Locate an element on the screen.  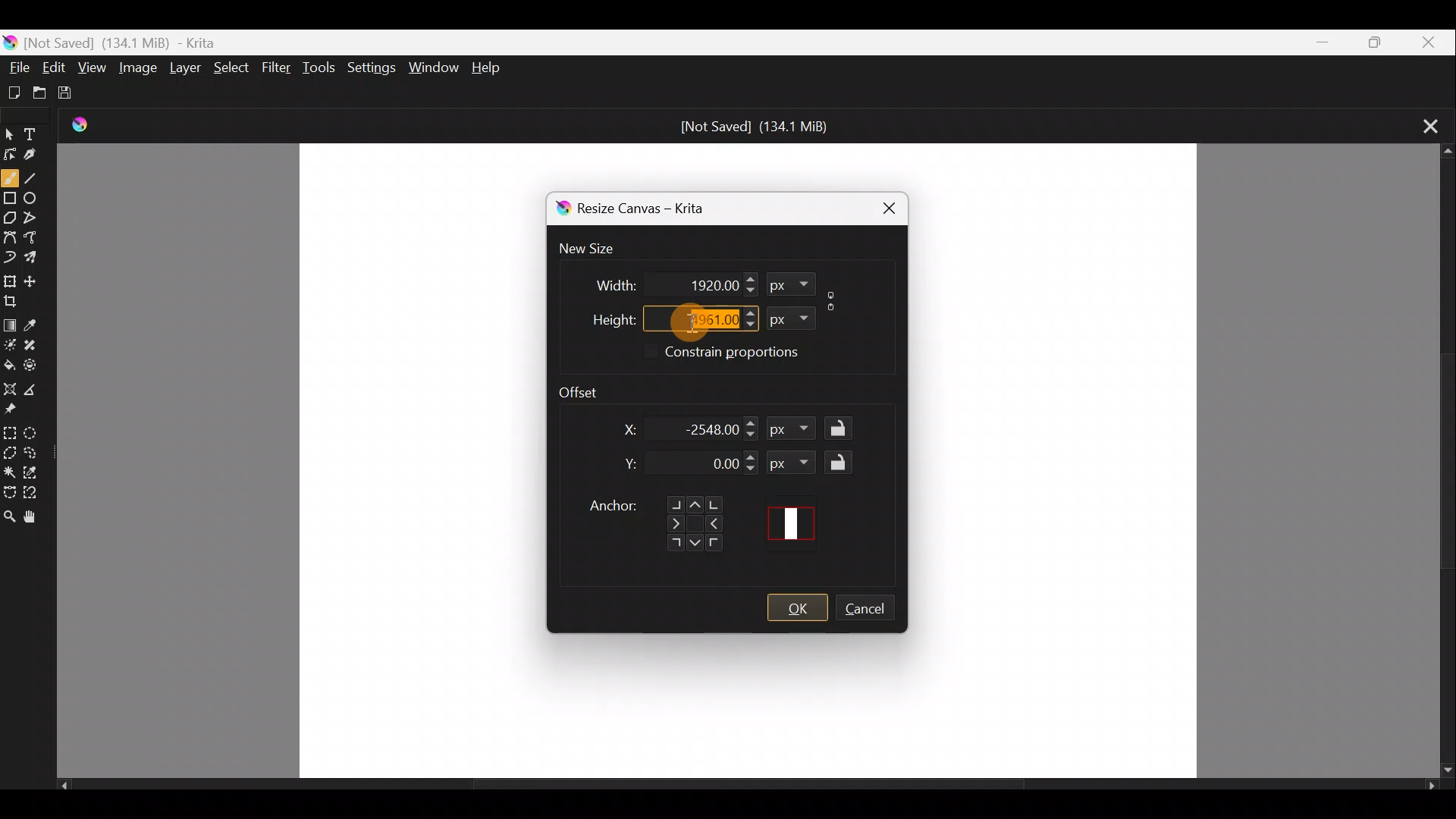
Decrease X dimension is located at coordinates (752, 435).